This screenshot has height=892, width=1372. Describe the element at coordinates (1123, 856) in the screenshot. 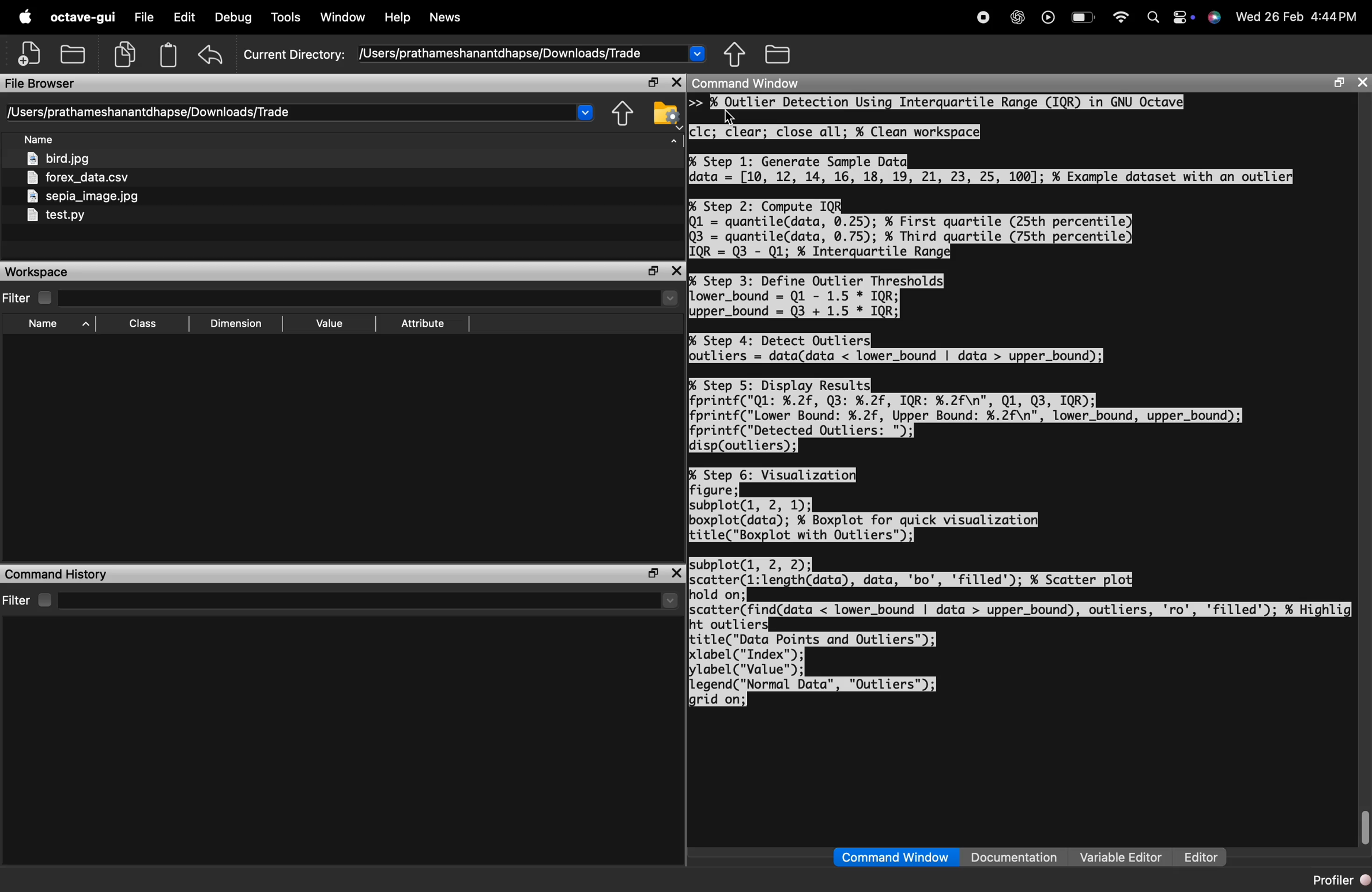

I see `Variable Editor` at that location.